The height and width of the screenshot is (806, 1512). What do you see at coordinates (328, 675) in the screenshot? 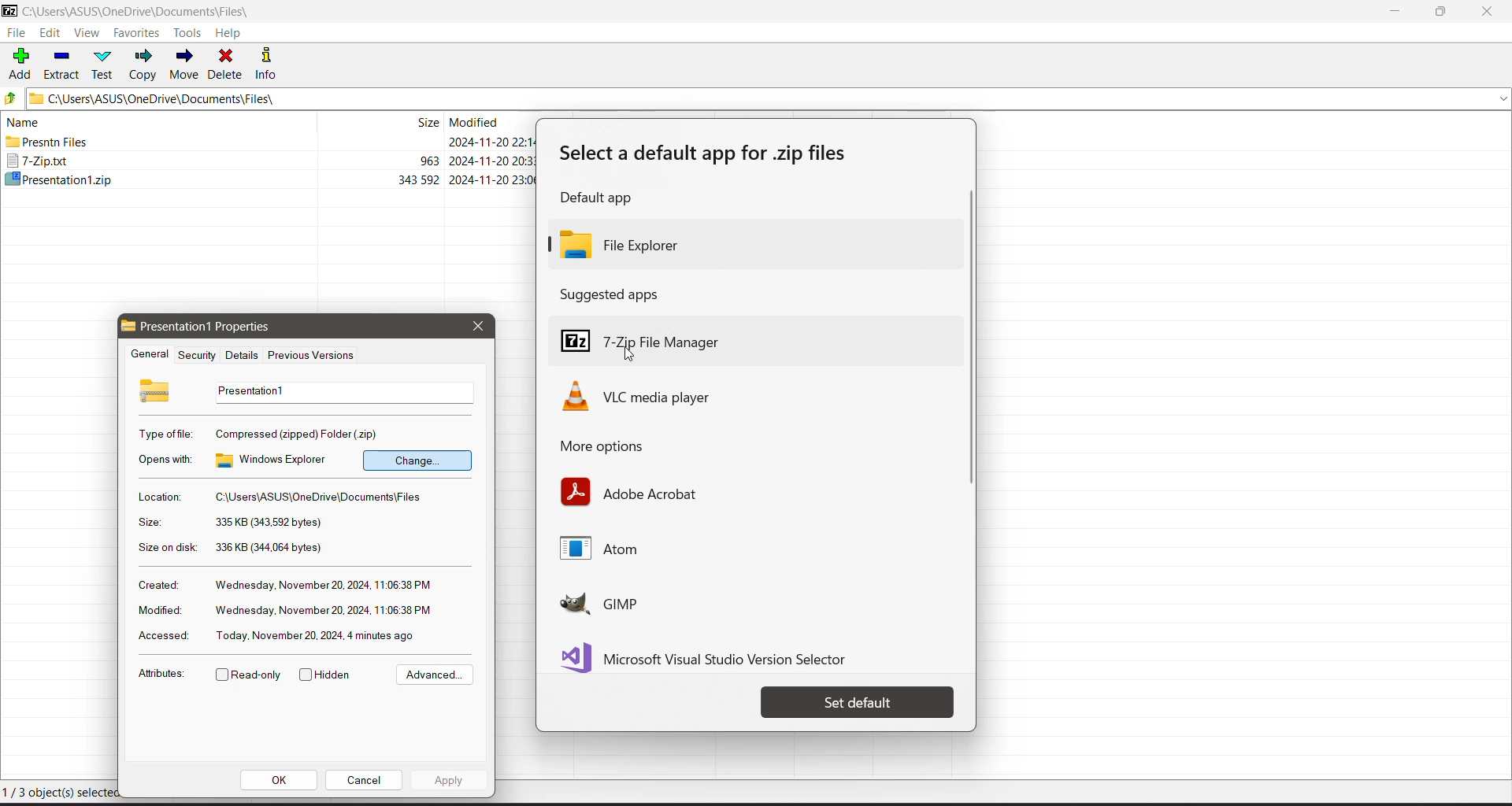
I see `Hidden- click to enable/disable` at bounding box center [328, 675].